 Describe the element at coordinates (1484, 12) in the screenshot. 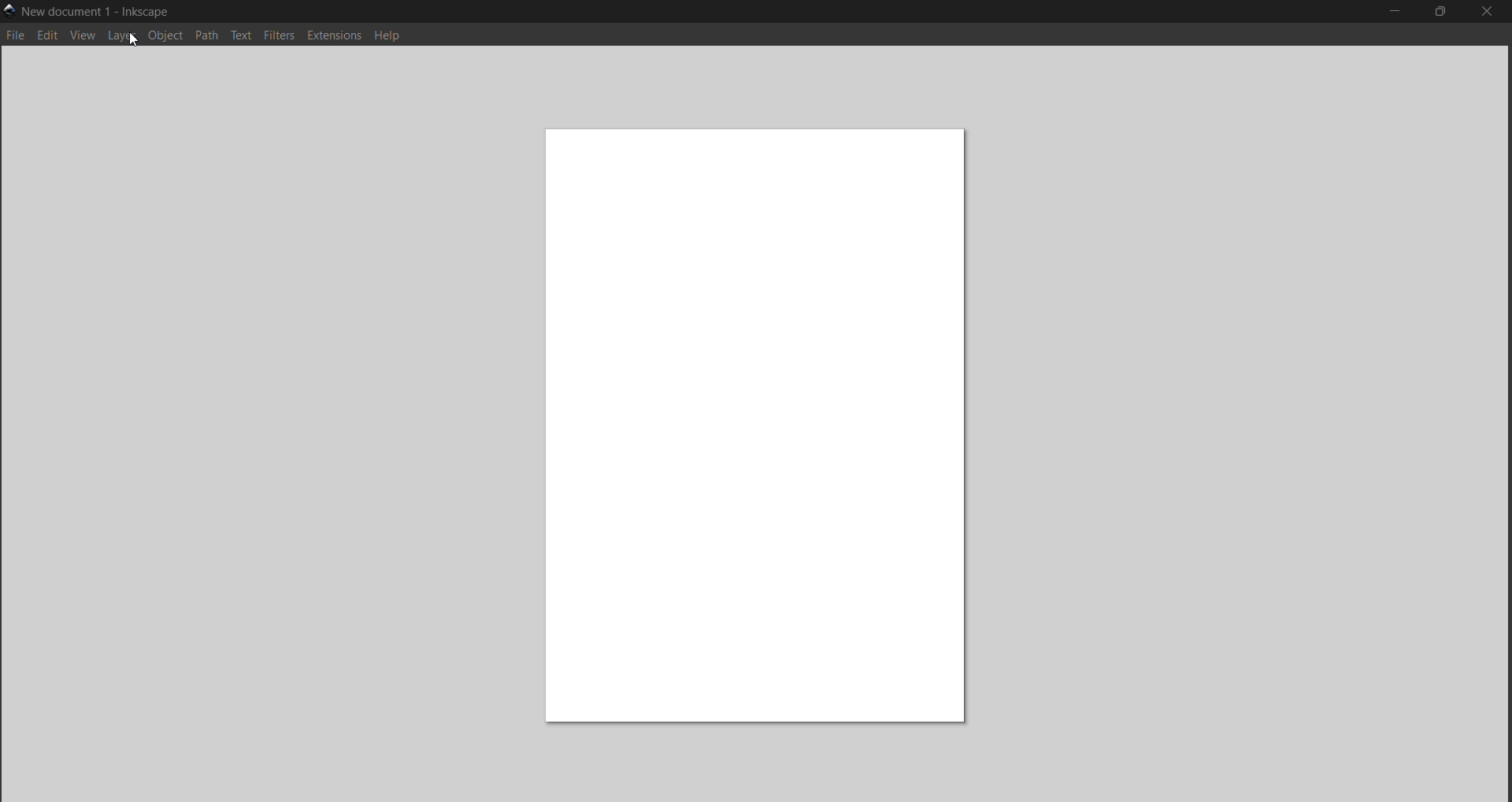

I see `close` at that location.